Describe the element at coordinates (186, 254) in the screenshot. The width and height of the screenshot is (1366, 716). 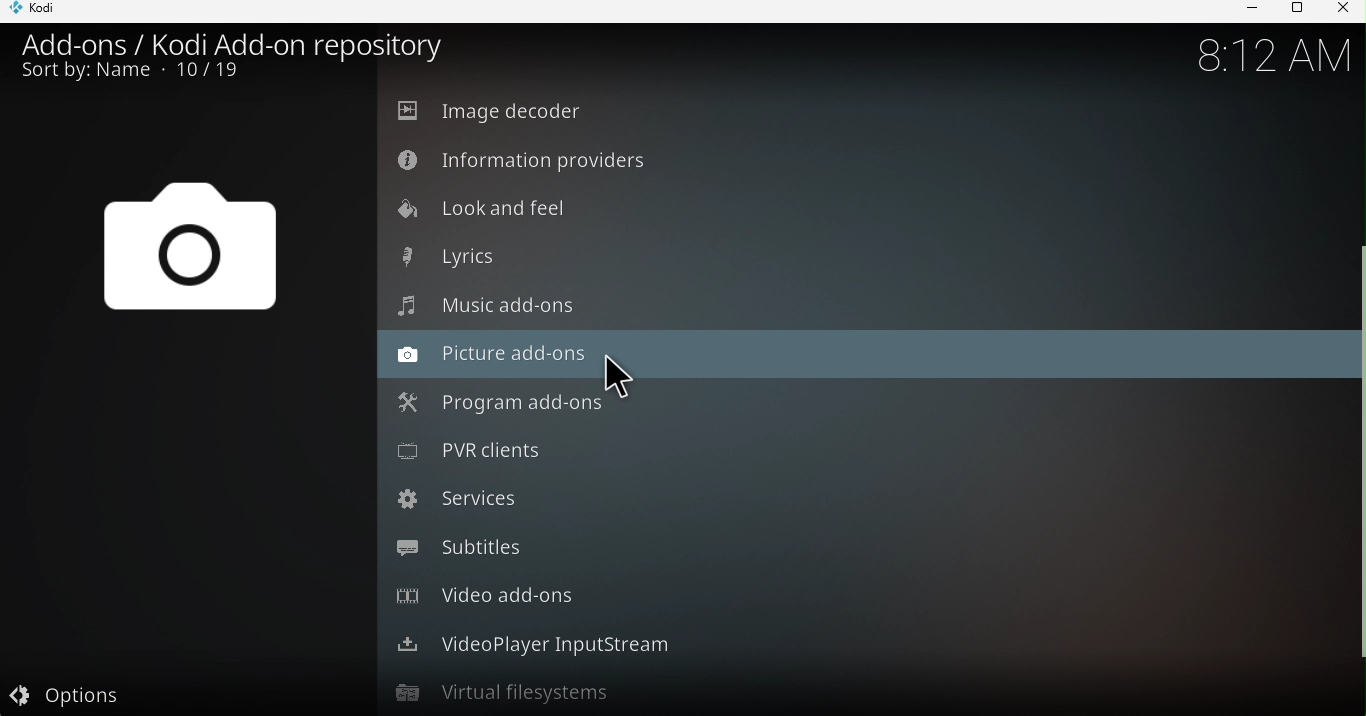
I see `Camera icon` at that location.